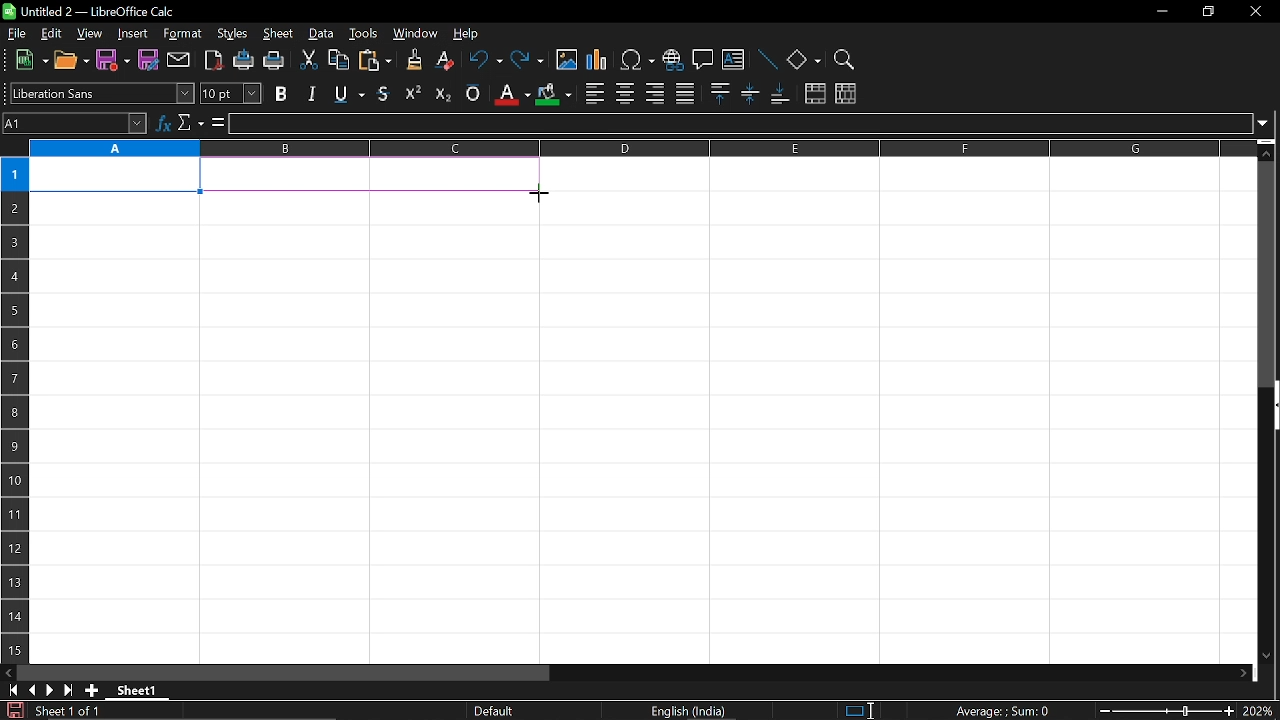  I want to click on sheet, so click(278, 34).